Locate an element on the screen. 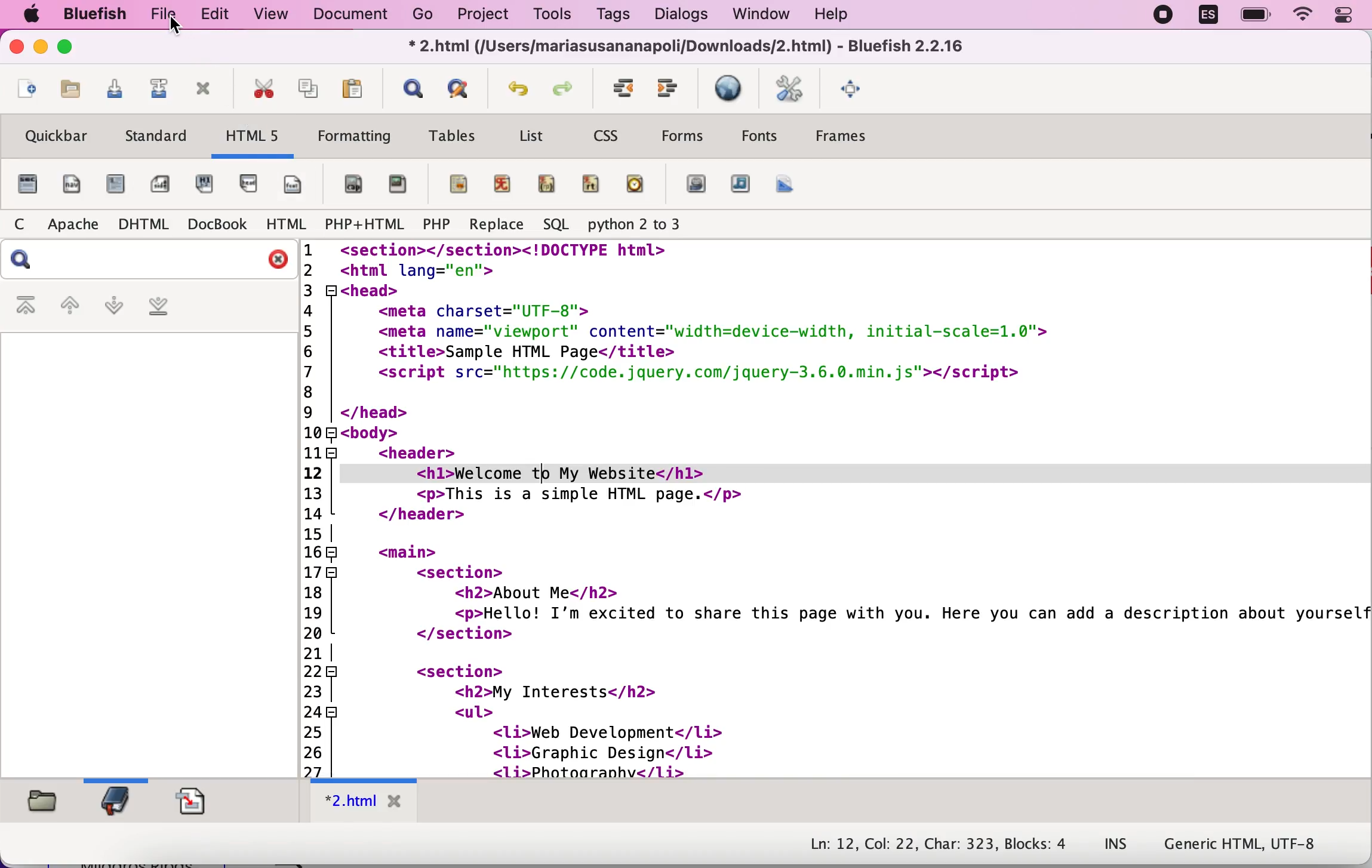  python 2 to 3 is located at coordinates (648, 226).